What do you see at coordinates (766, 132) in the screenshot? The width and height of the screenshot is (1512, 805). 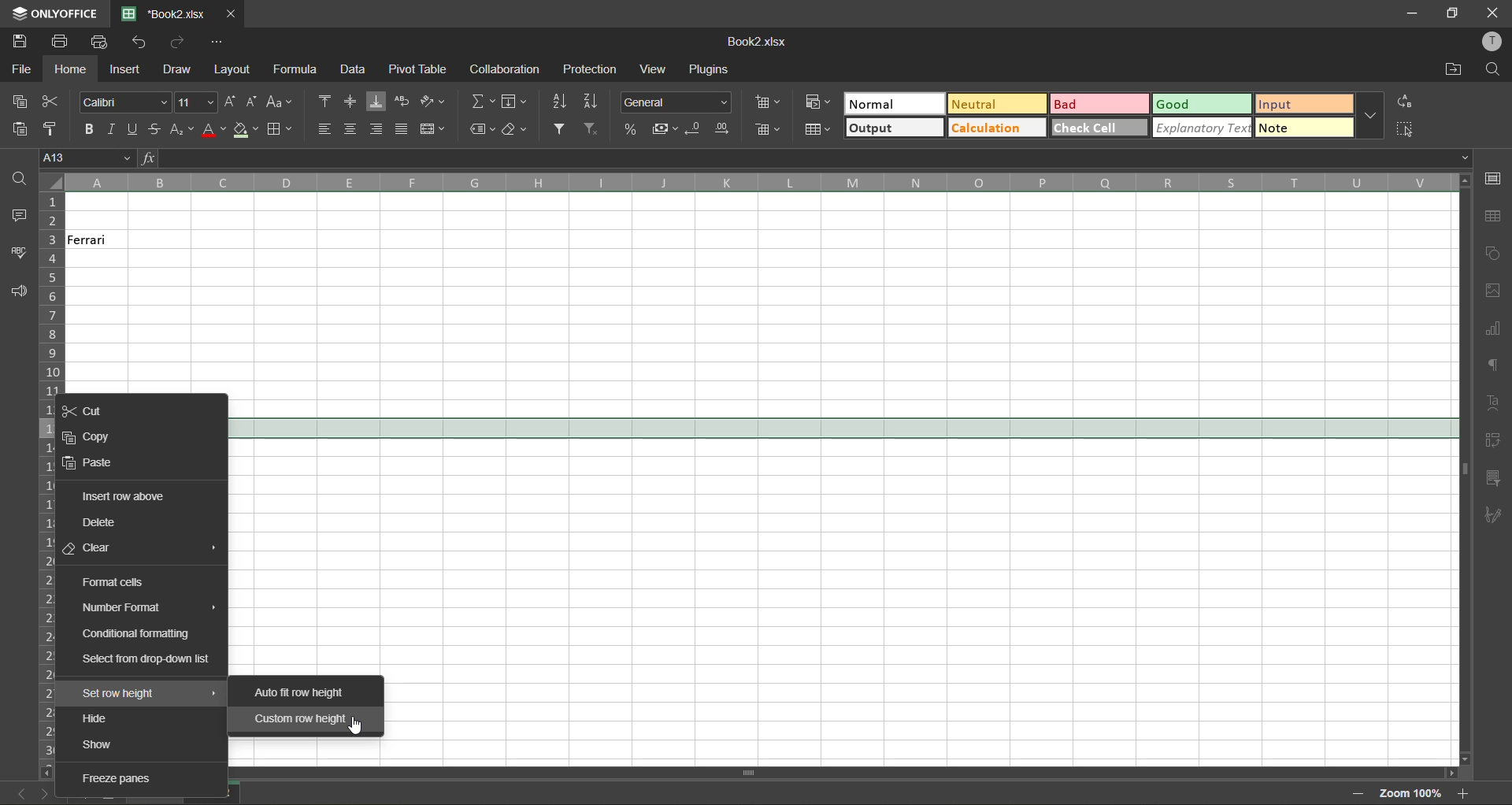 I see `delete cells` at bounding box center [766, 132].